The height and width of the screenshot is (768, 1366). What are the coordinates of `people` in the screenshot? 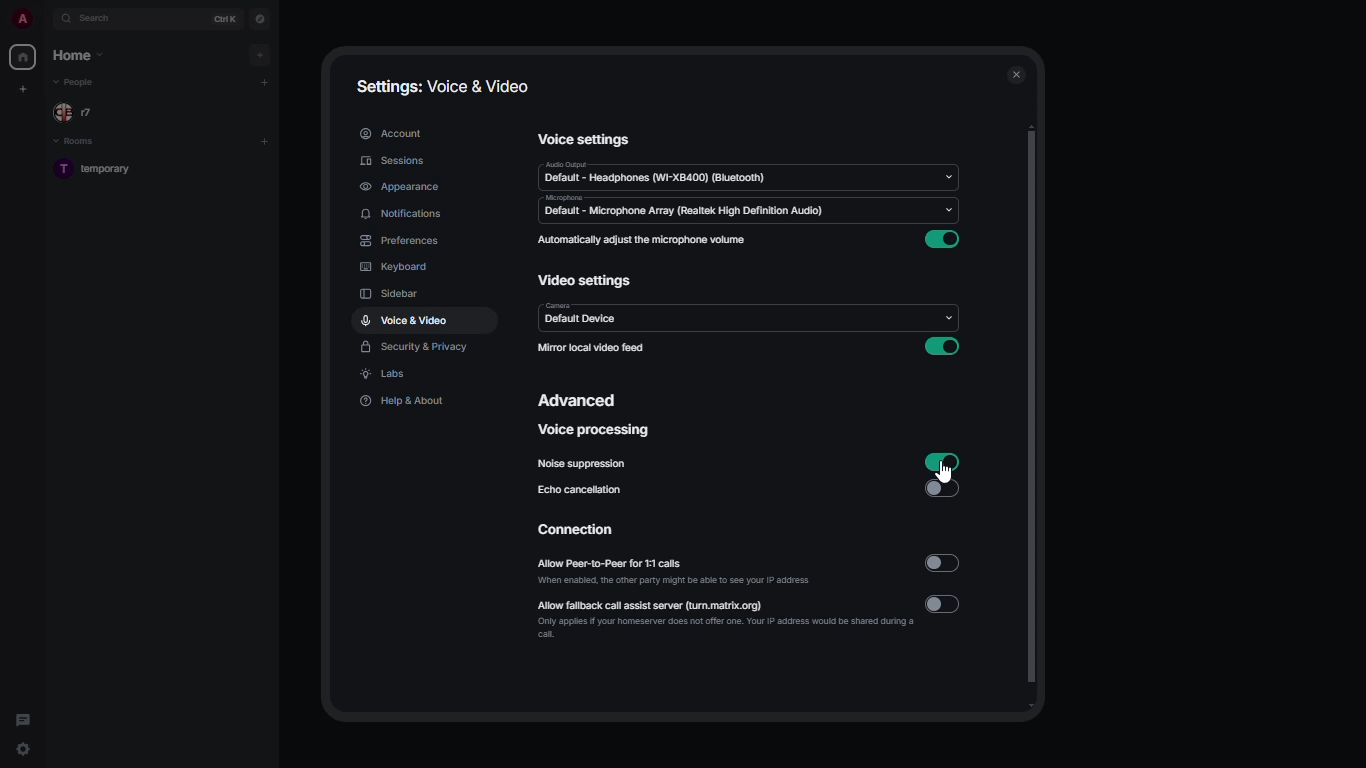 It's located at (77, 84).